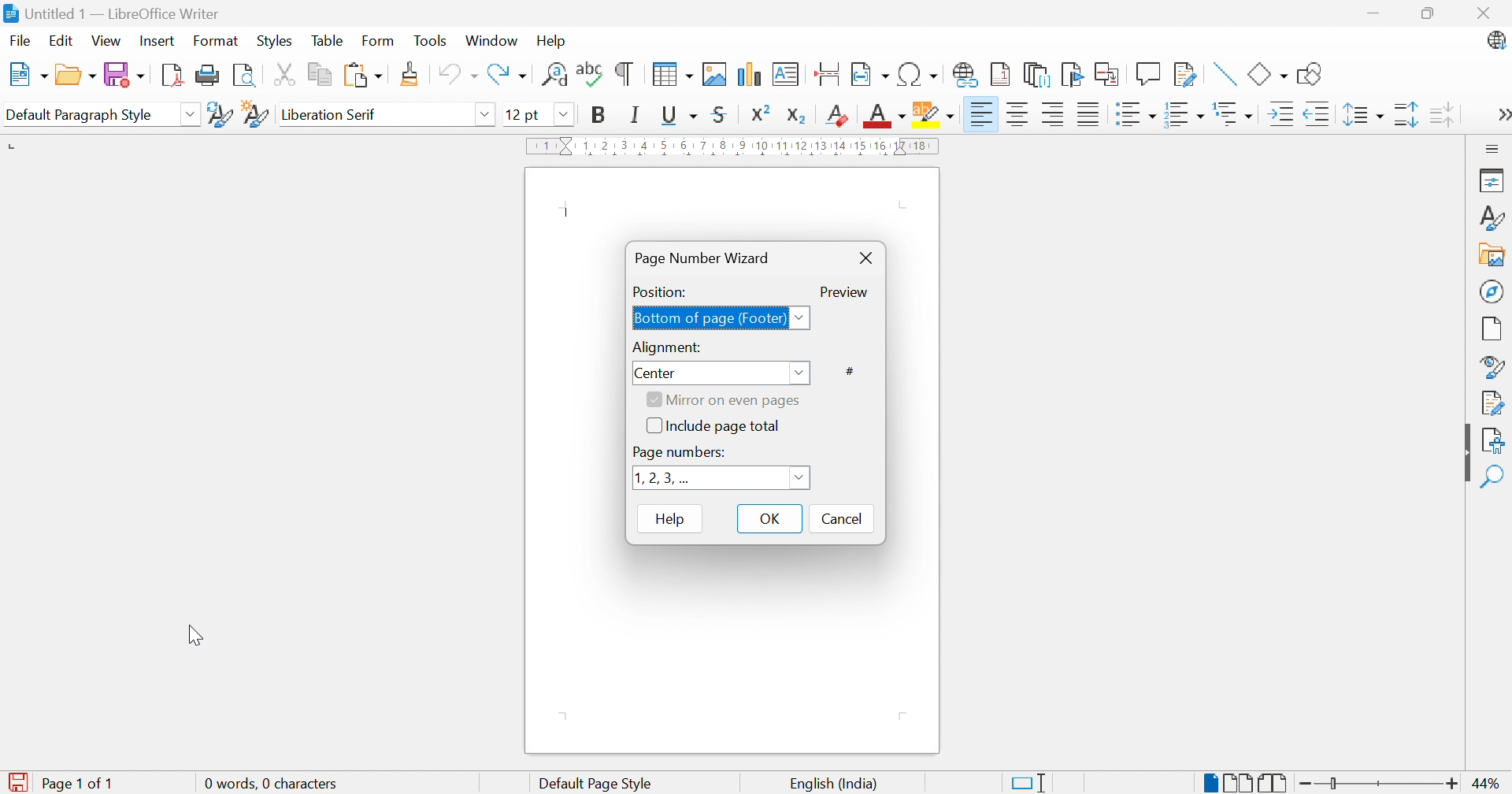 Image resolution: width=1512 pixels, height=794 pixels. I want to click on Typing cursor, so click(569, 213).